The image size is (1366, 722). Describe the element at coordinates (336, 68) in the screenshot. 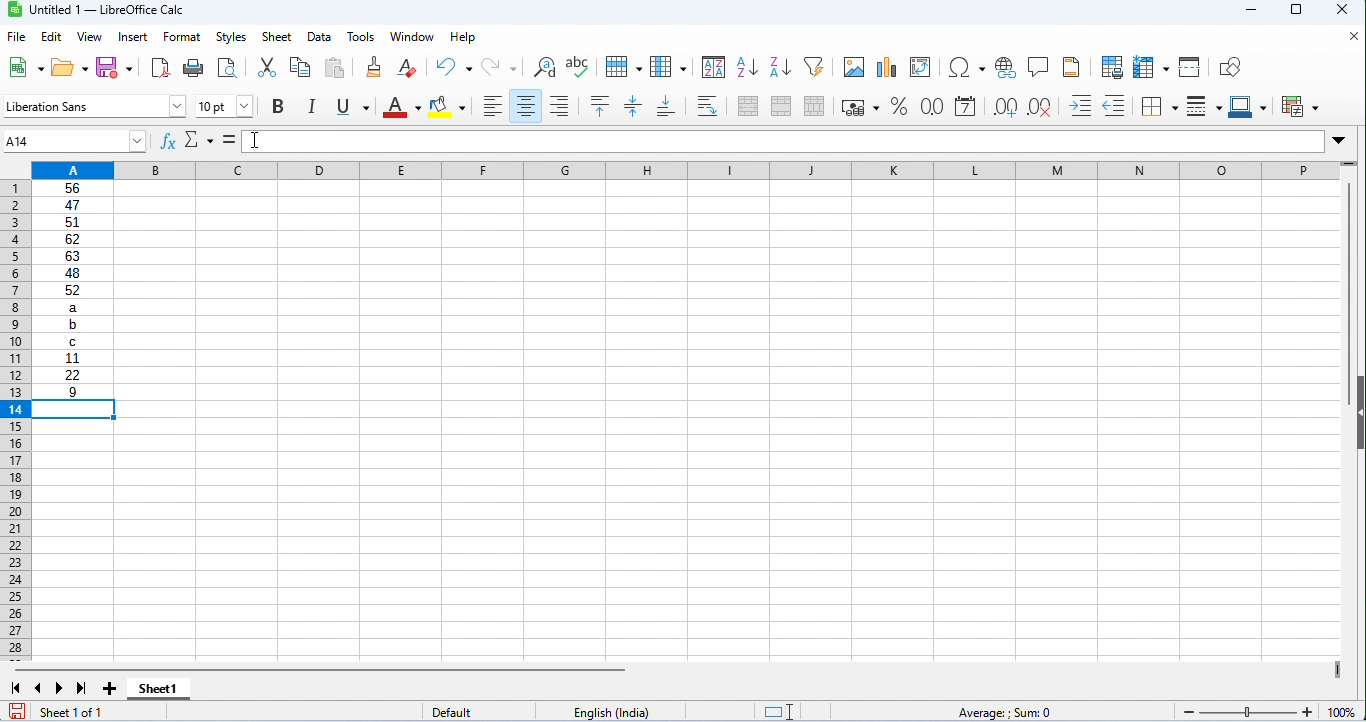

I see `paste` at that location.